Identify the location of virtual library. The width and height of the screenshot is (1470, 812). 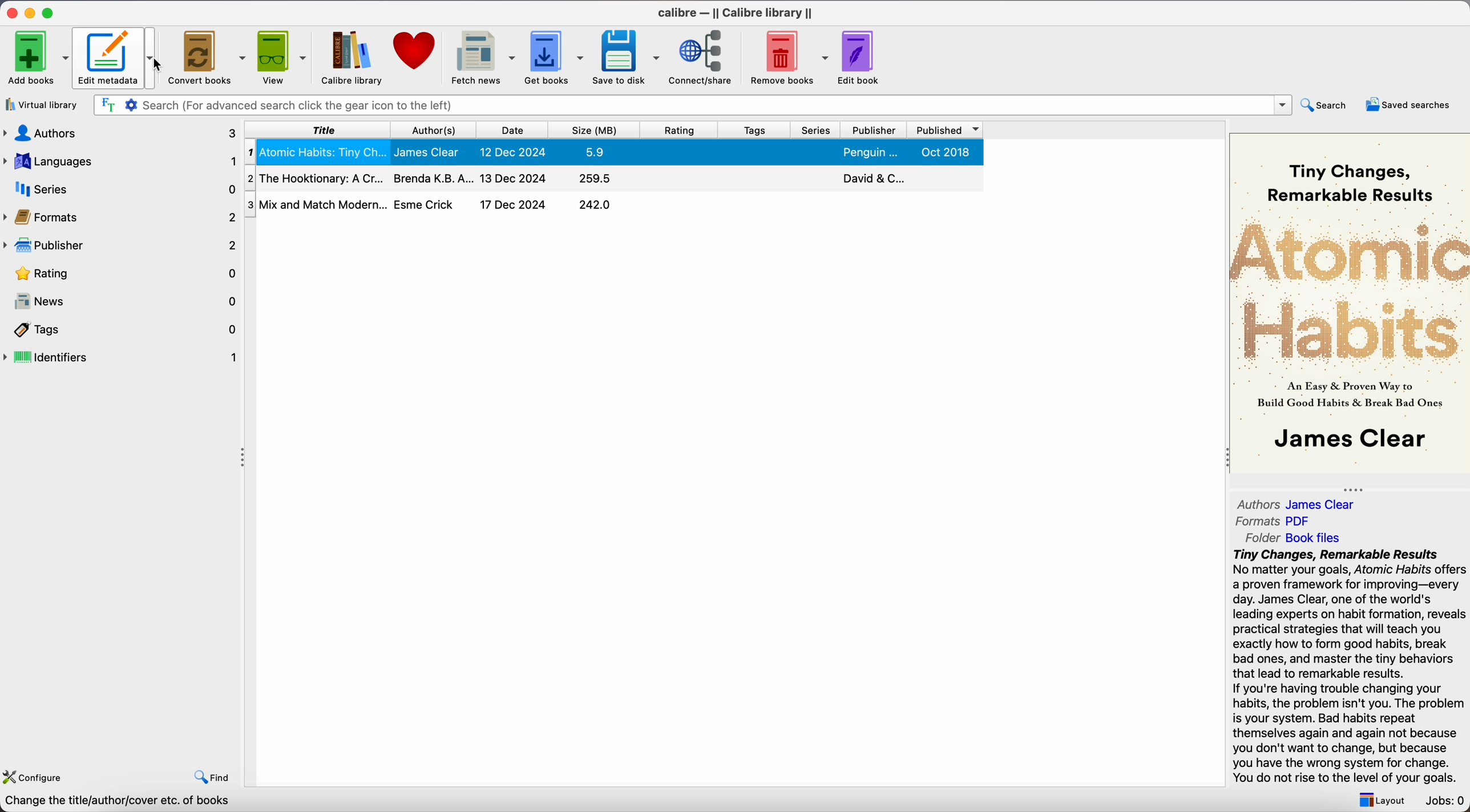
(42, 104).